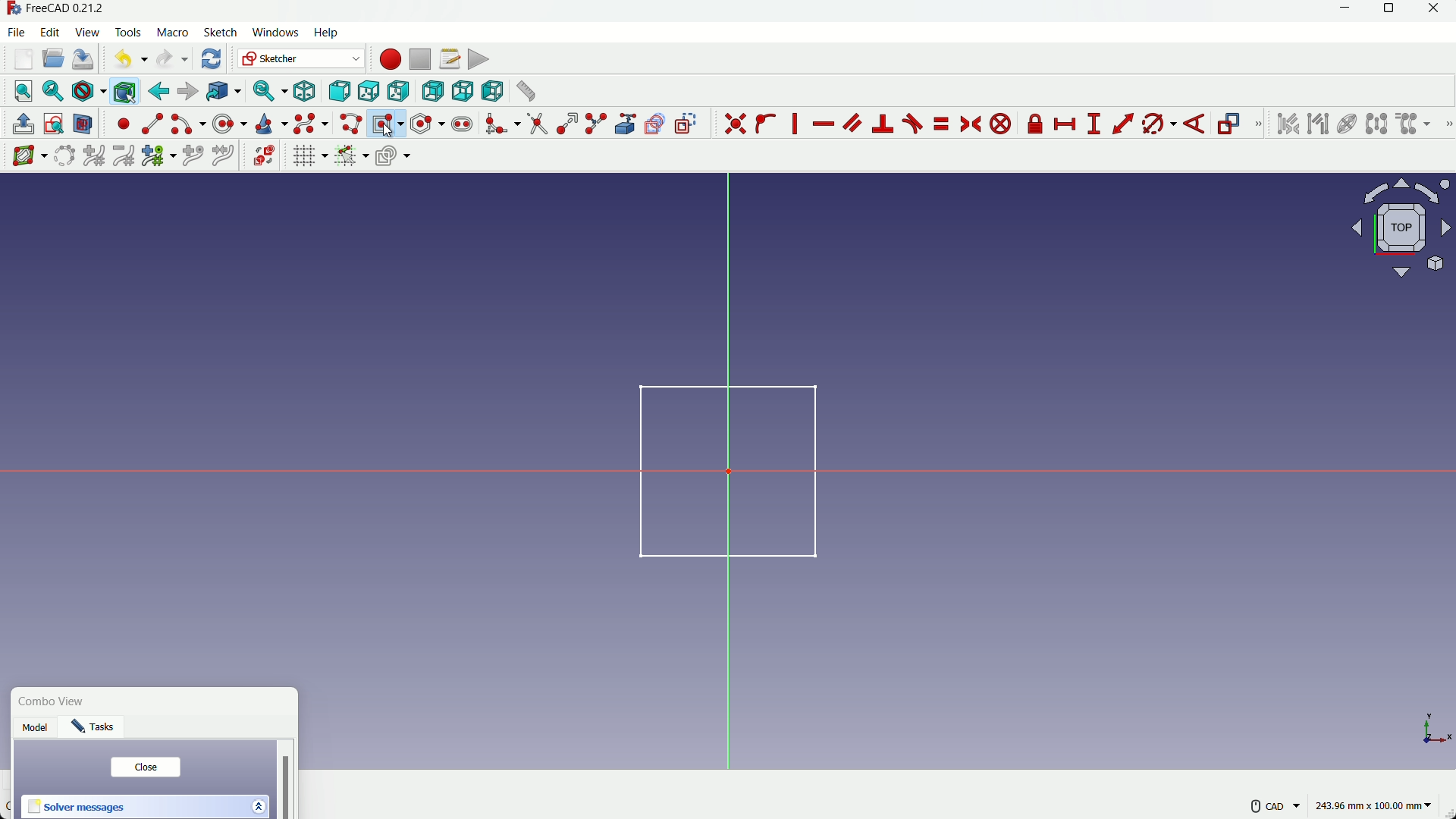 The width and height of the screenshot is (1456, 819). What do you see at coordinates (193, 154) in the screenshot?
I see `insert knot` at bounding box center [193, 154].